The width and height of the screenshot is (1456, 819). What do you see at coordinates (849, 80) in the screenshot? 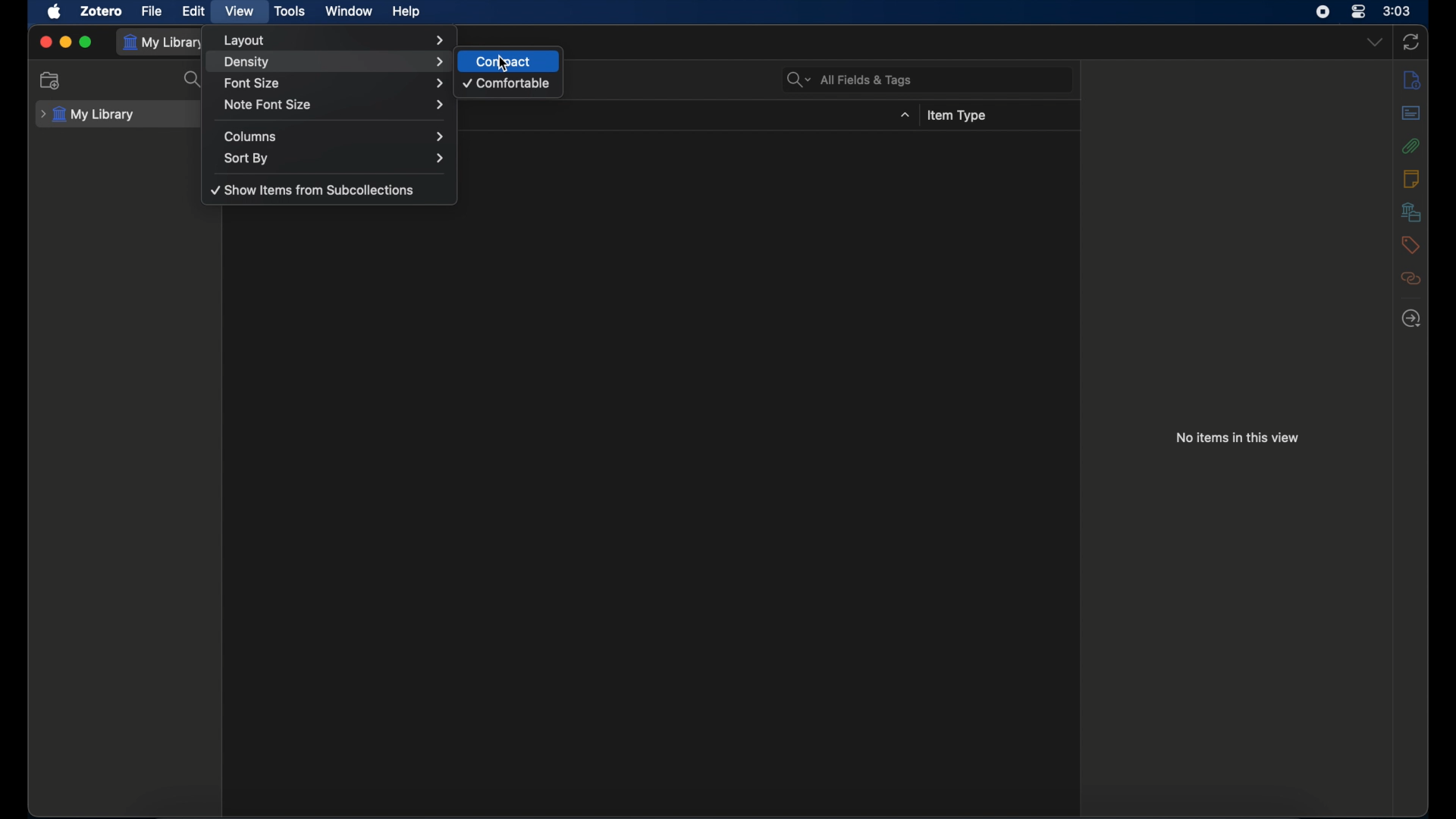
I see `all fields & tags` at bounding box center [849, 80].